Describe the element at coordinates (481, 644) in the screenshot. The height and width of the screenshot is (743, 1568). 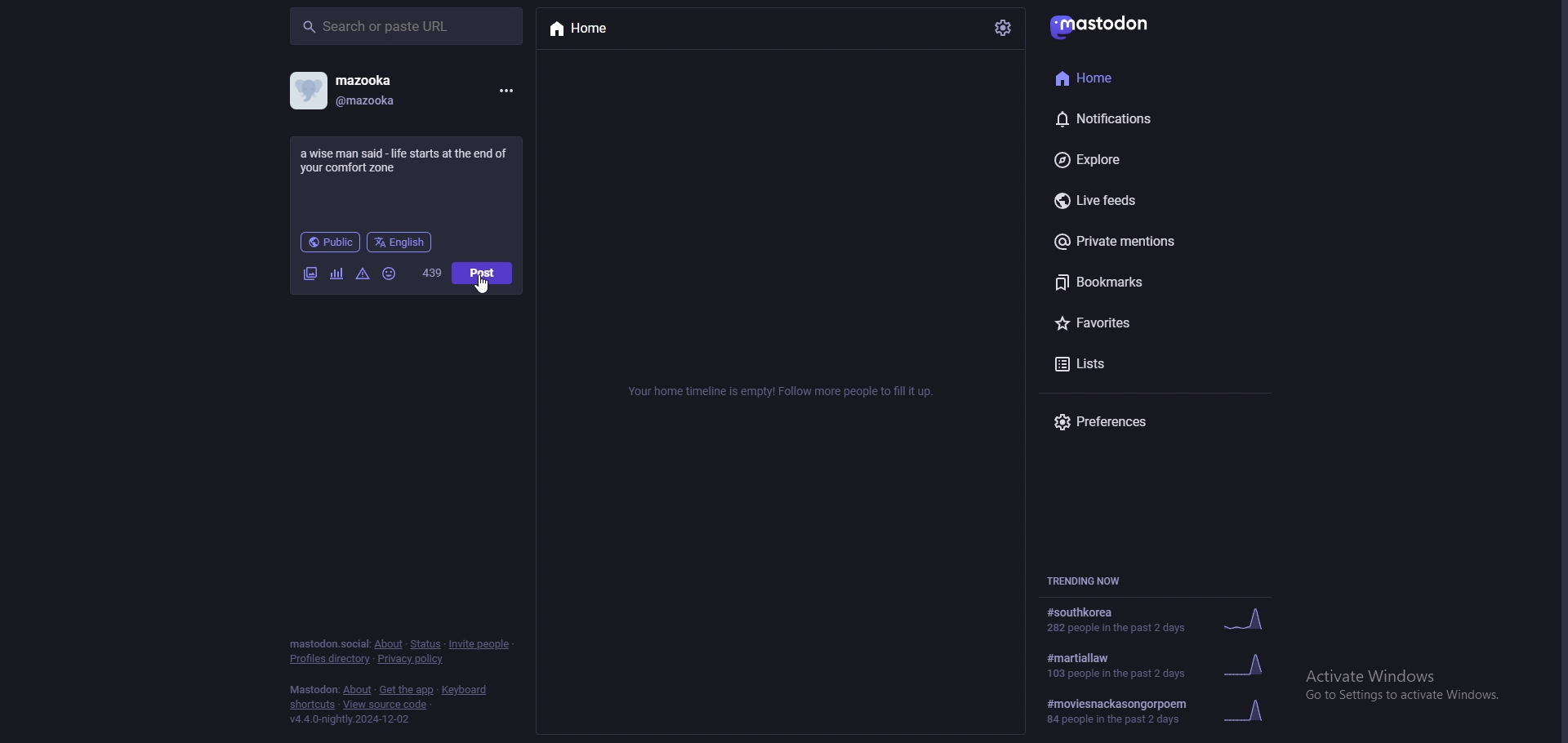
I see `invite people` at that location.